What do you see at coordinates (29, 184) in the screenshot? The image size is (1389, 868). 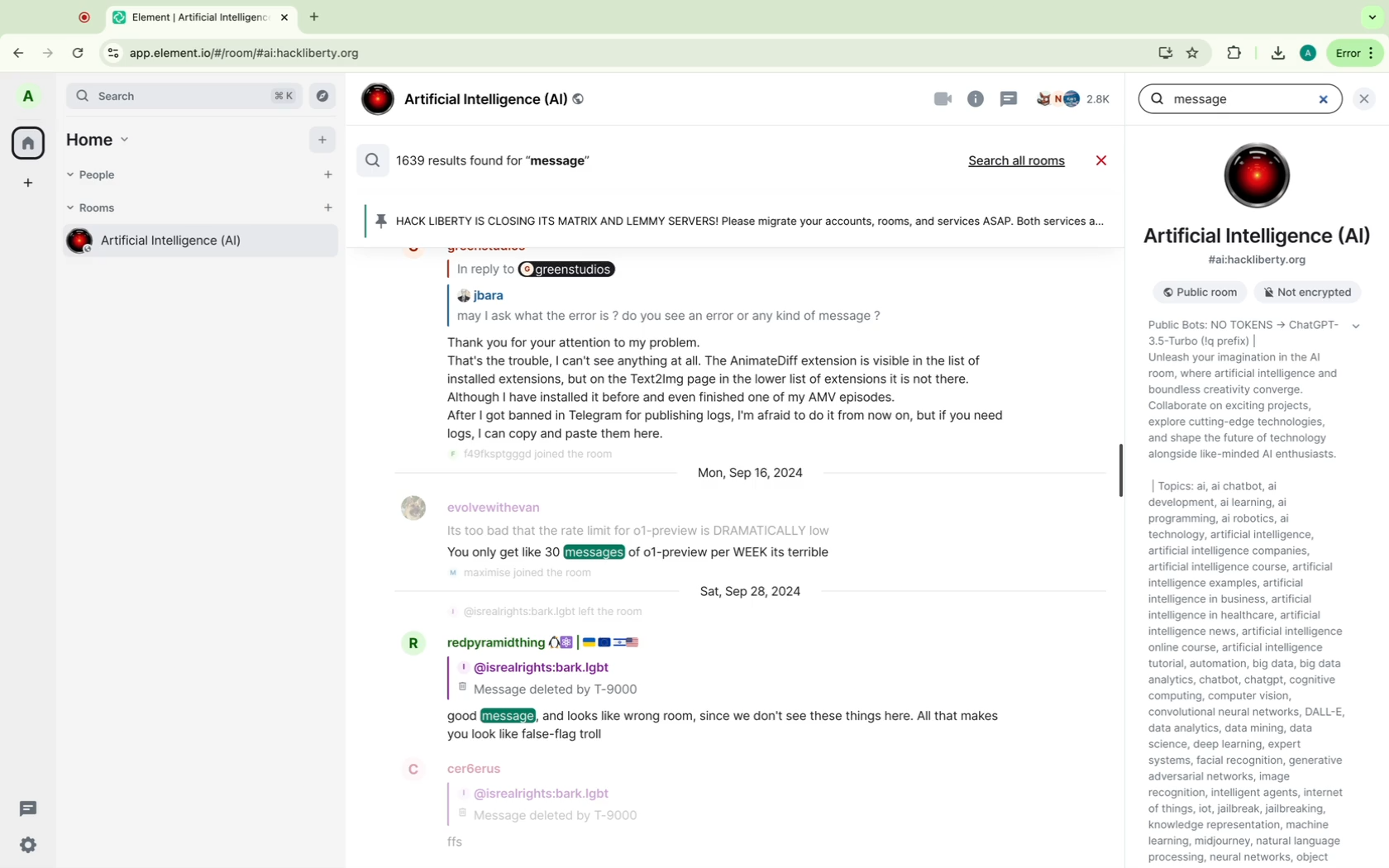 I see `create a space` at bounding box center [29, 184].